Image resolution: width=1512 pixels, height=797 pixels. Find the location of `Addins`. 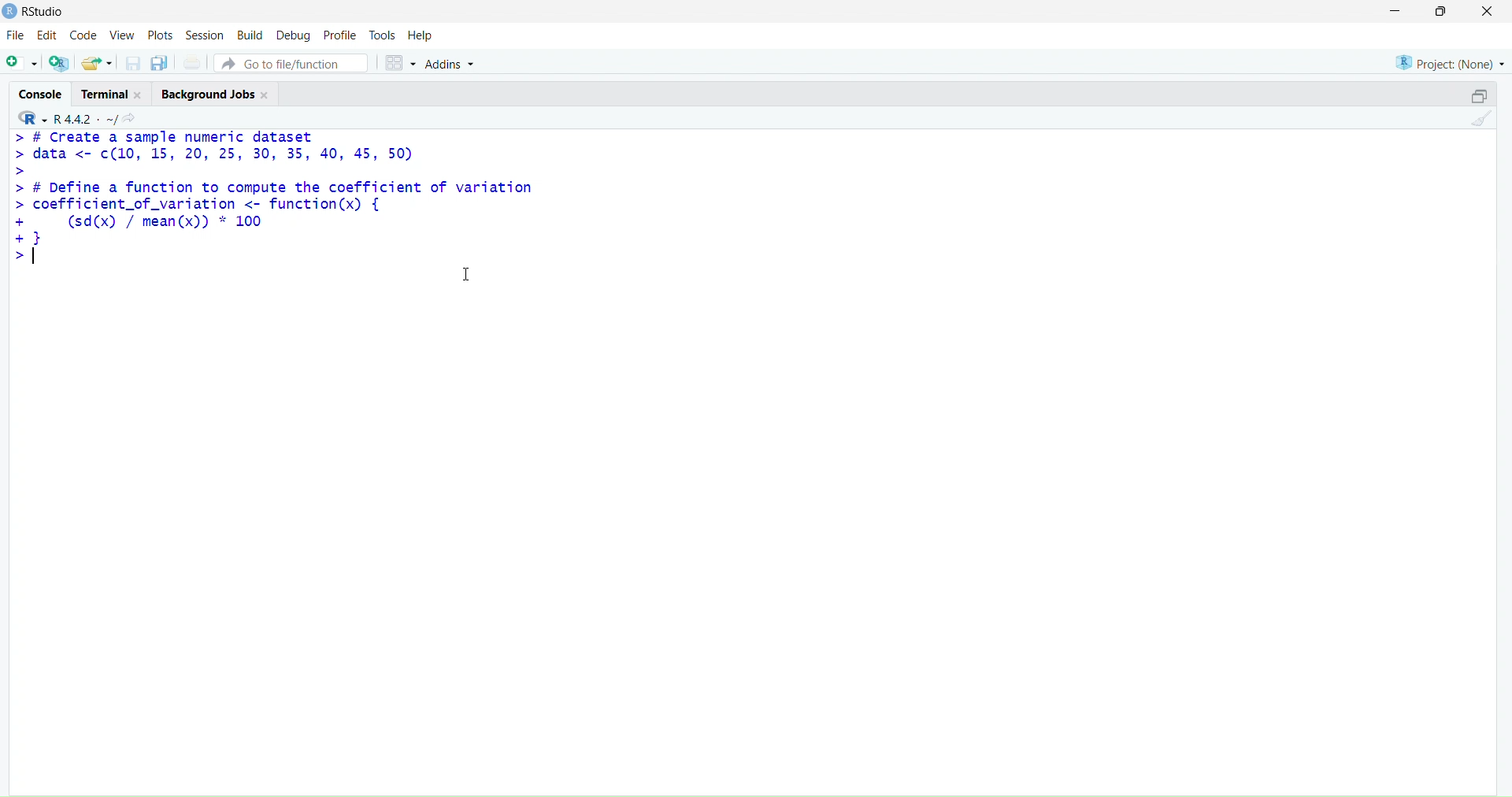

Addins is located at coordinates (451, 65).